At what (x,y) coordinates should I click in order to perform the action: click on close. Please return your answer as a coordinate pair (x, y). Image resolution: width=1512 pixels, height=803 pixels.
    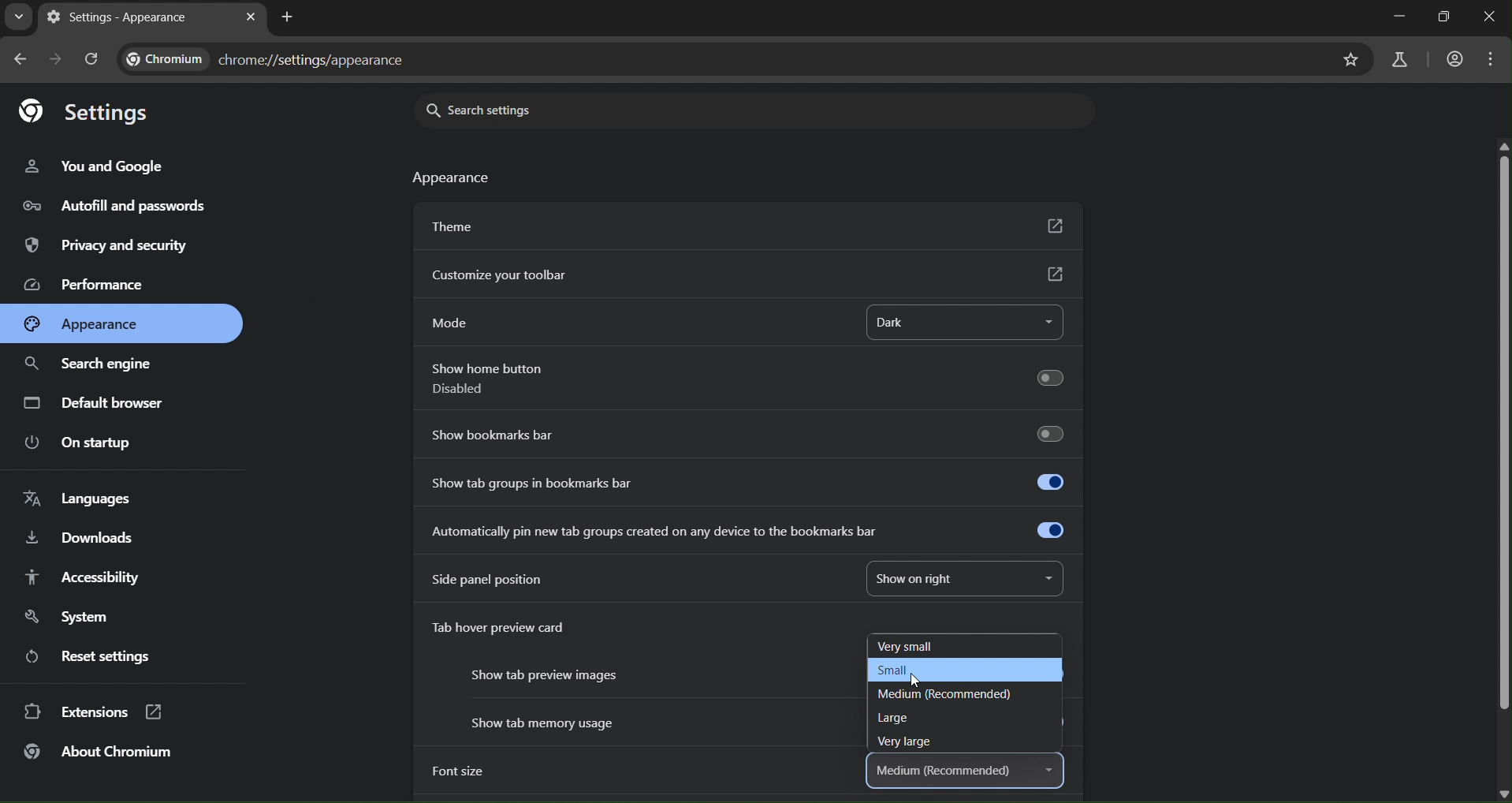
    Looking at the image, I should click on (1490, 18).